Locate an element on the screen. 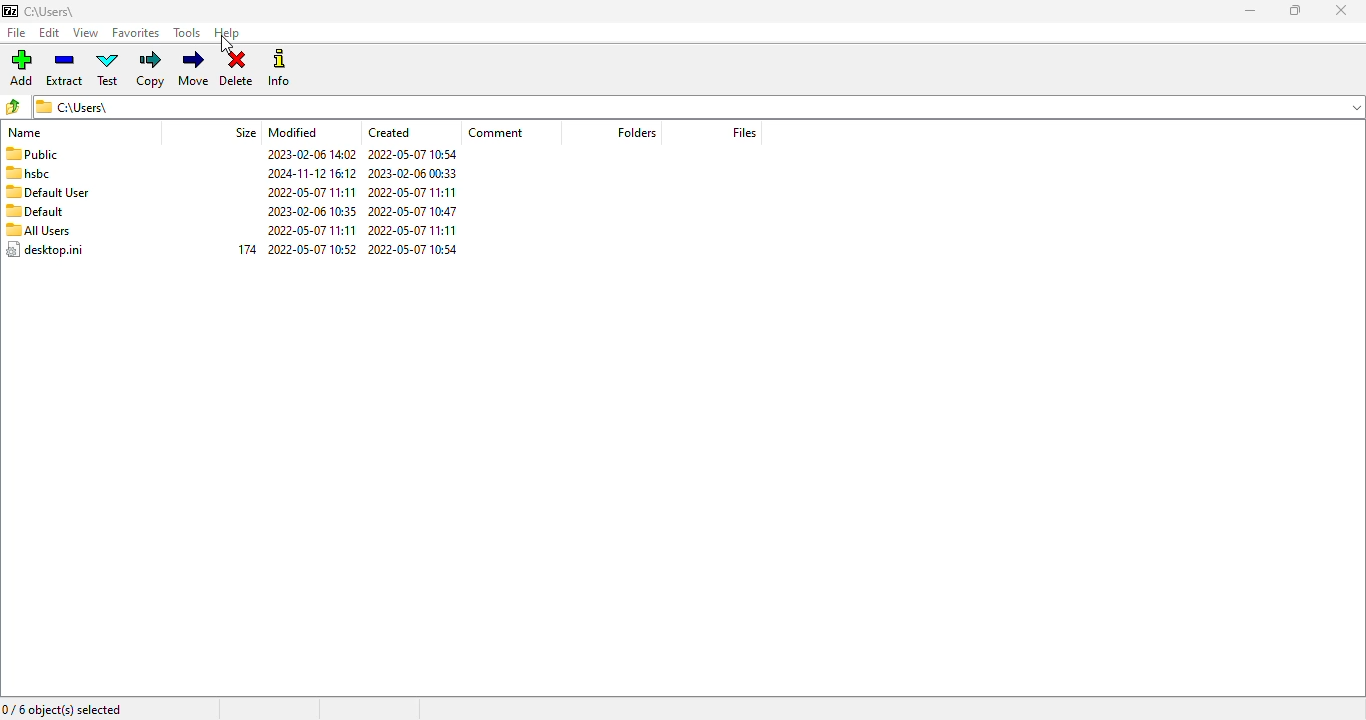 The width and height of the screenshot is (1366, 720). folders is located at coordinates (635, 131).